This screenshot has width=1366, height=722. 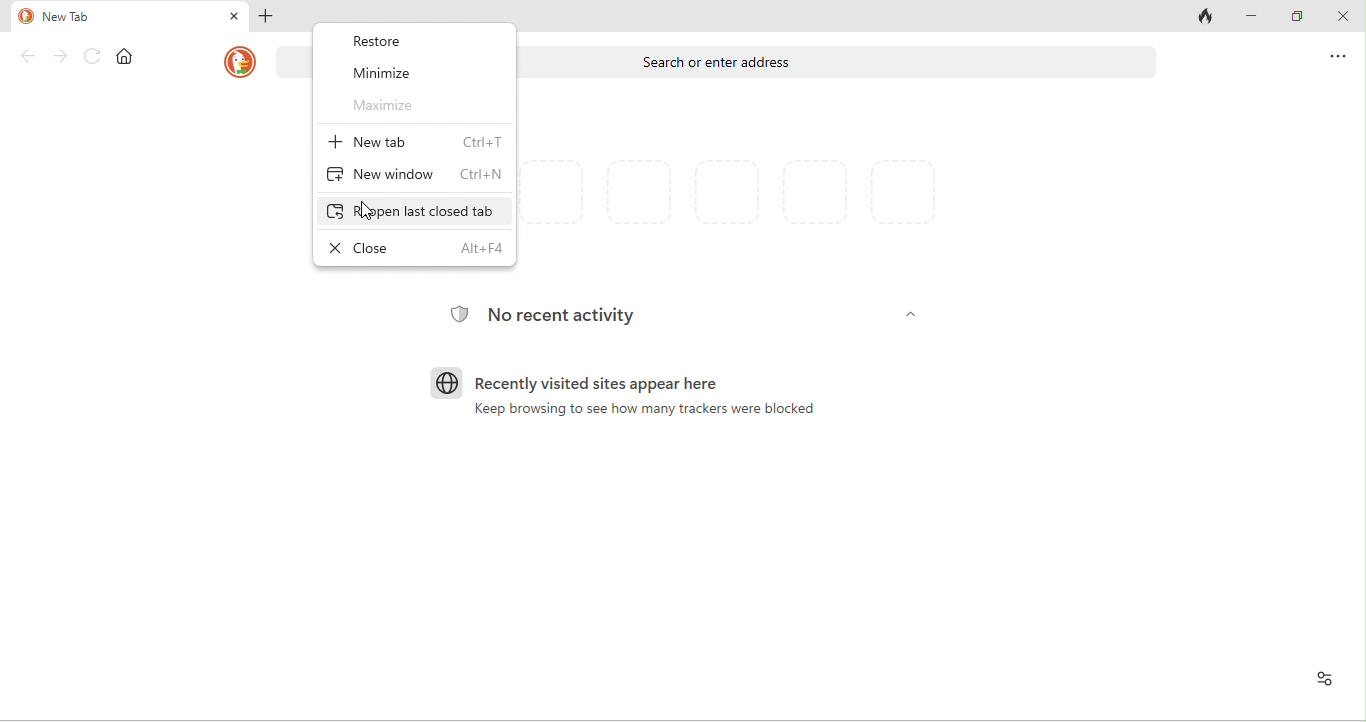 I want to click on no recent activity, so click(x=575, y=316).